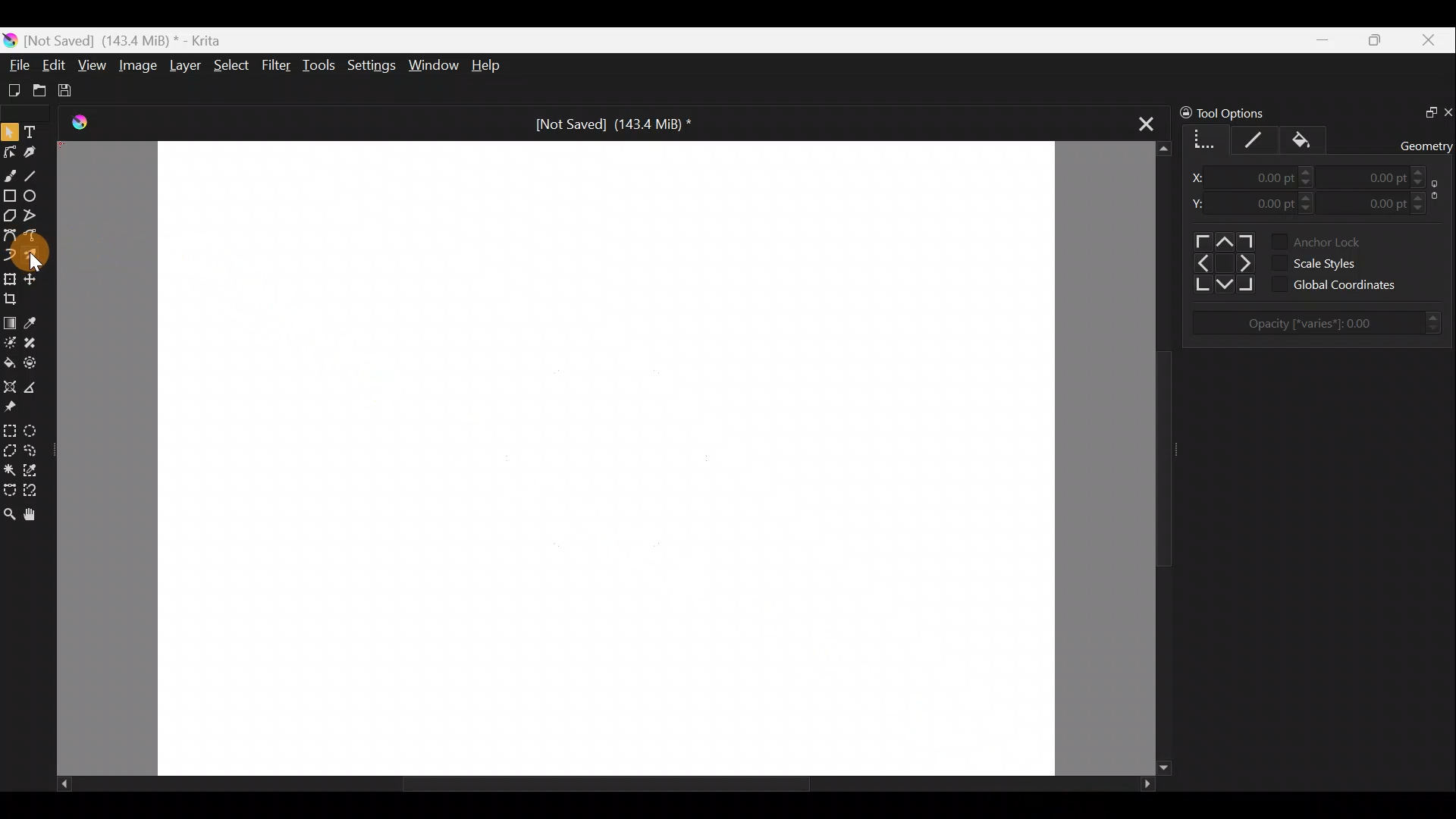 The image size is (1456, 819). I want to click on Dynamic brush tool, so click(9, 255).